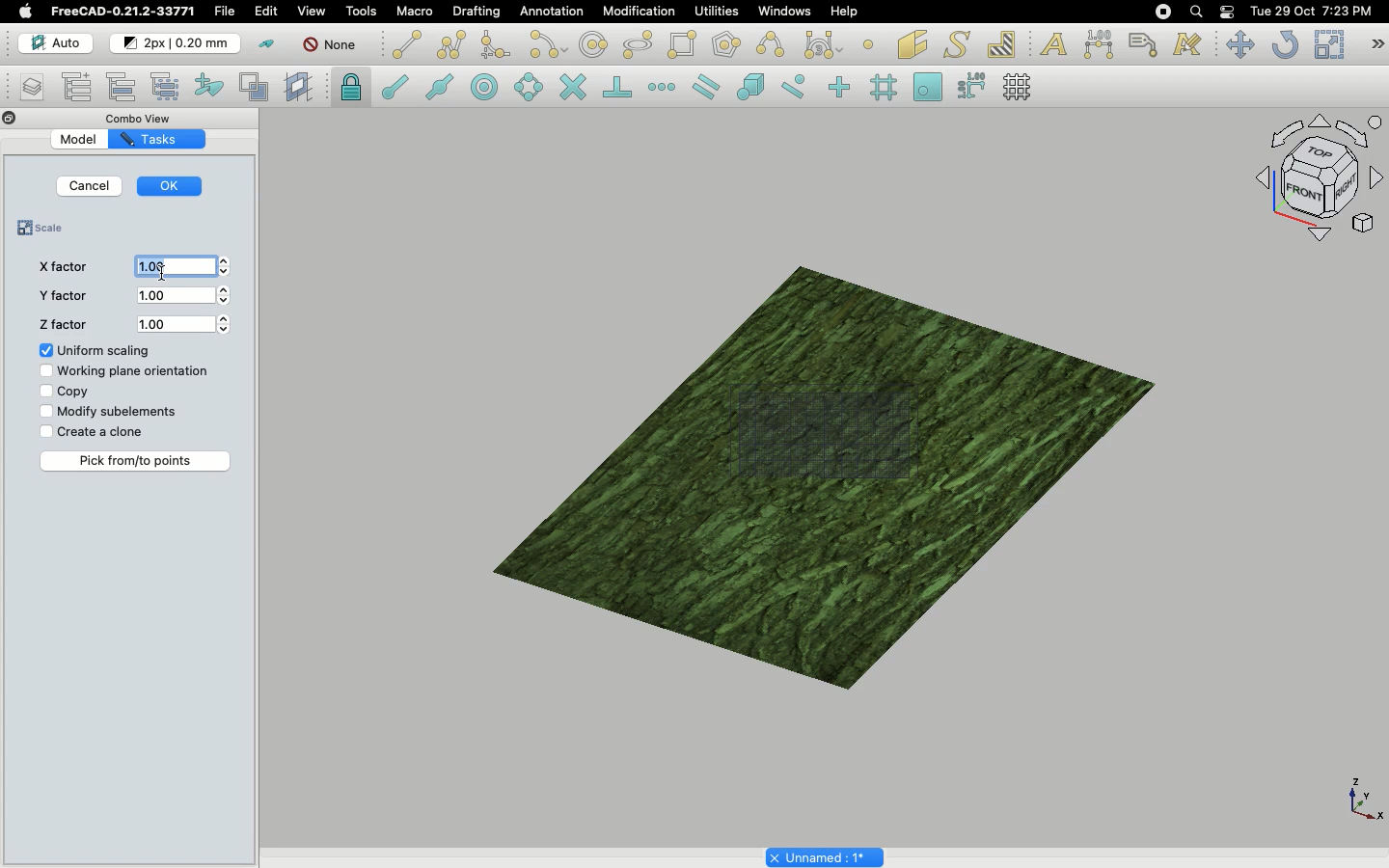  Describe the element at coordinates (662, 88) in the screenshot. I see `Snap extension` at that location.